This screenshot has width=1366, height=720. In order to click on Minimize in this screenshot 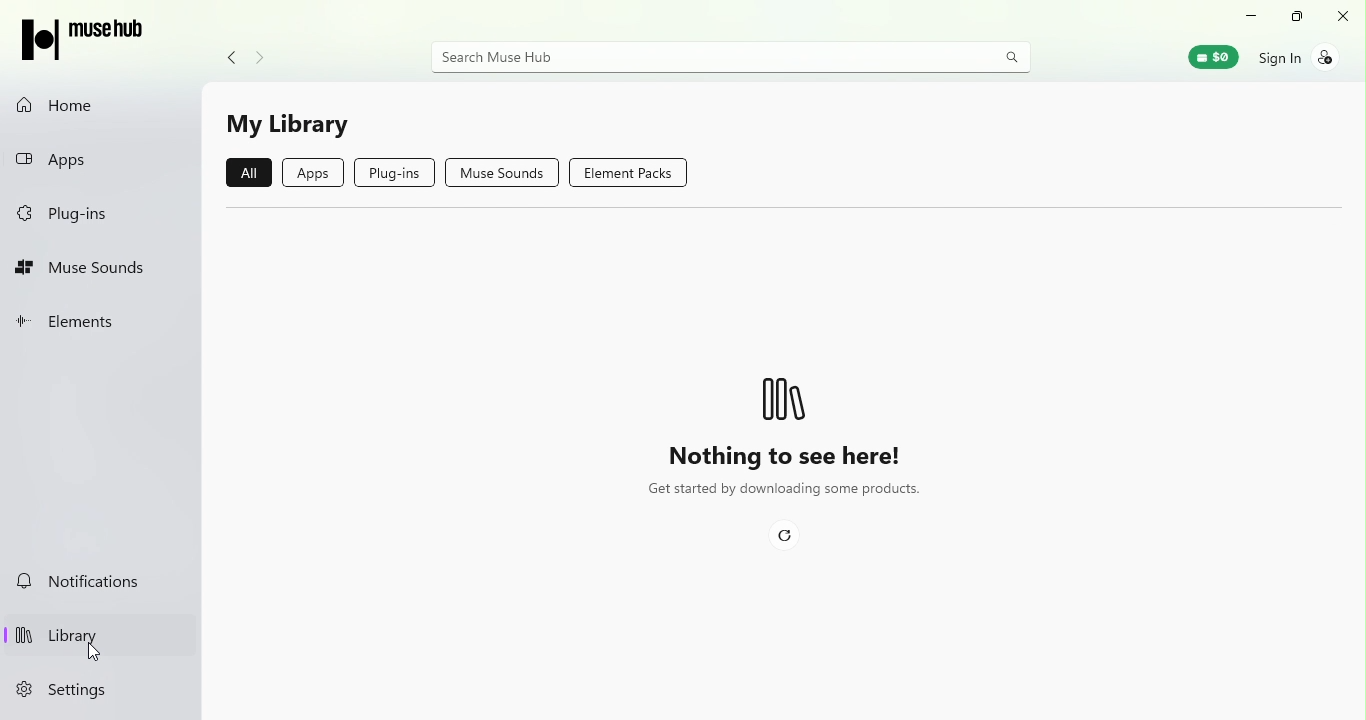, I will do `click(1247, 15)`.